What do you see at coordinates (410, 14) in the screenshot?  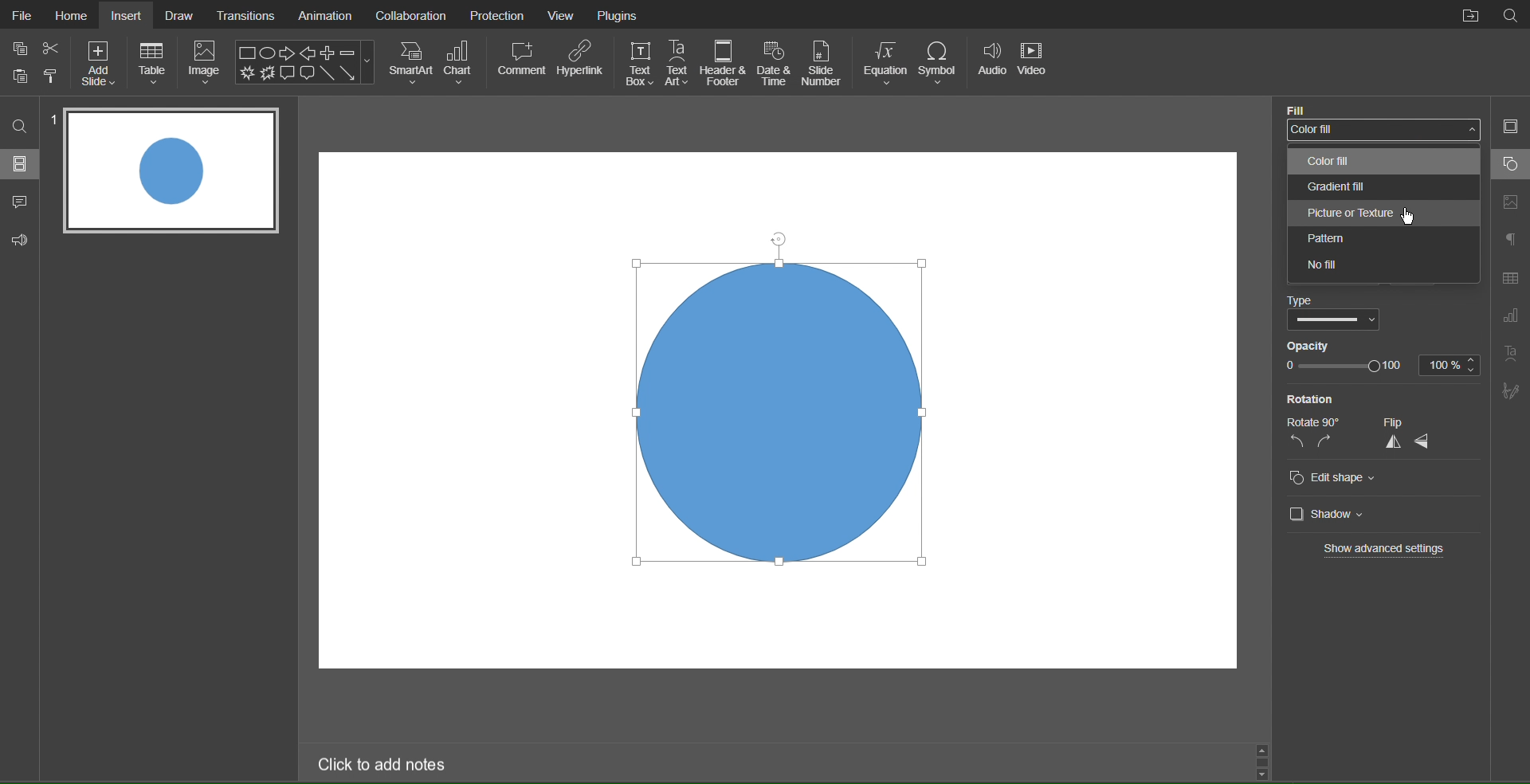 I see `Collaboration` at bounding box center [410, 14].